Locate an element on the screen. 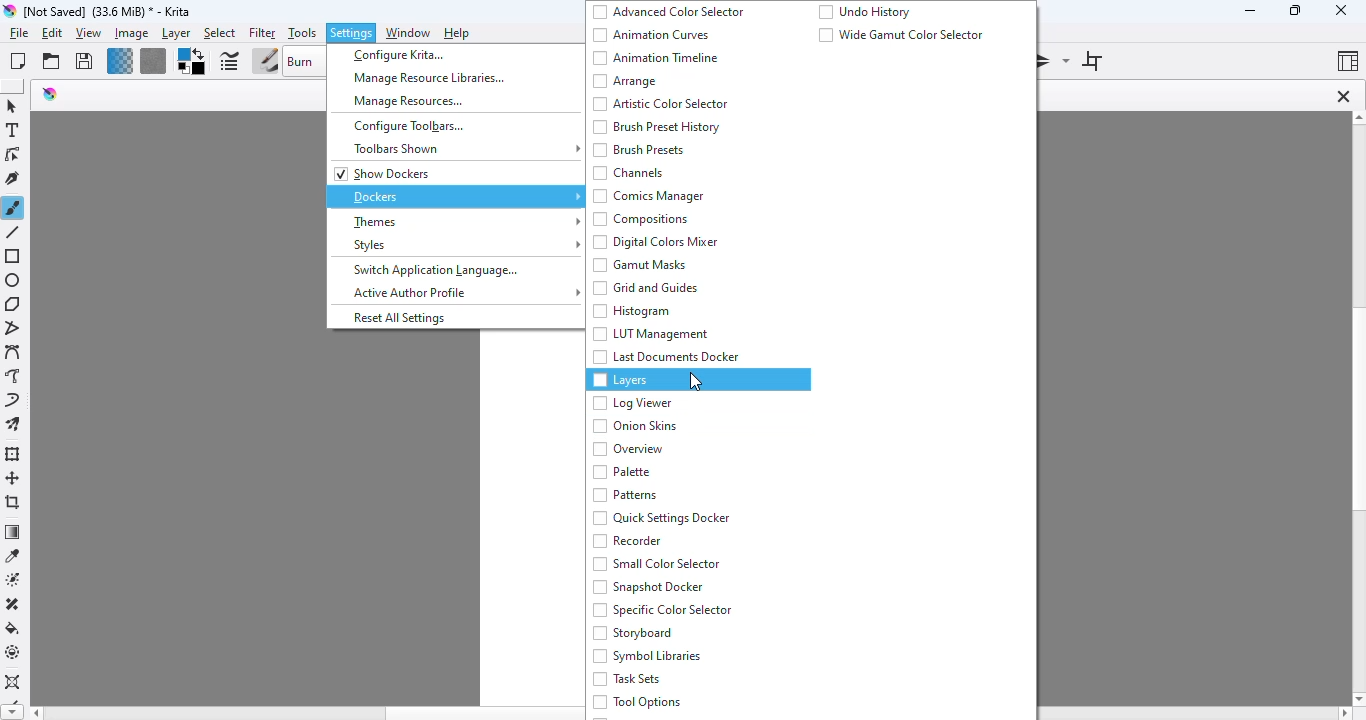  filter is located at coordinates (262, 33).